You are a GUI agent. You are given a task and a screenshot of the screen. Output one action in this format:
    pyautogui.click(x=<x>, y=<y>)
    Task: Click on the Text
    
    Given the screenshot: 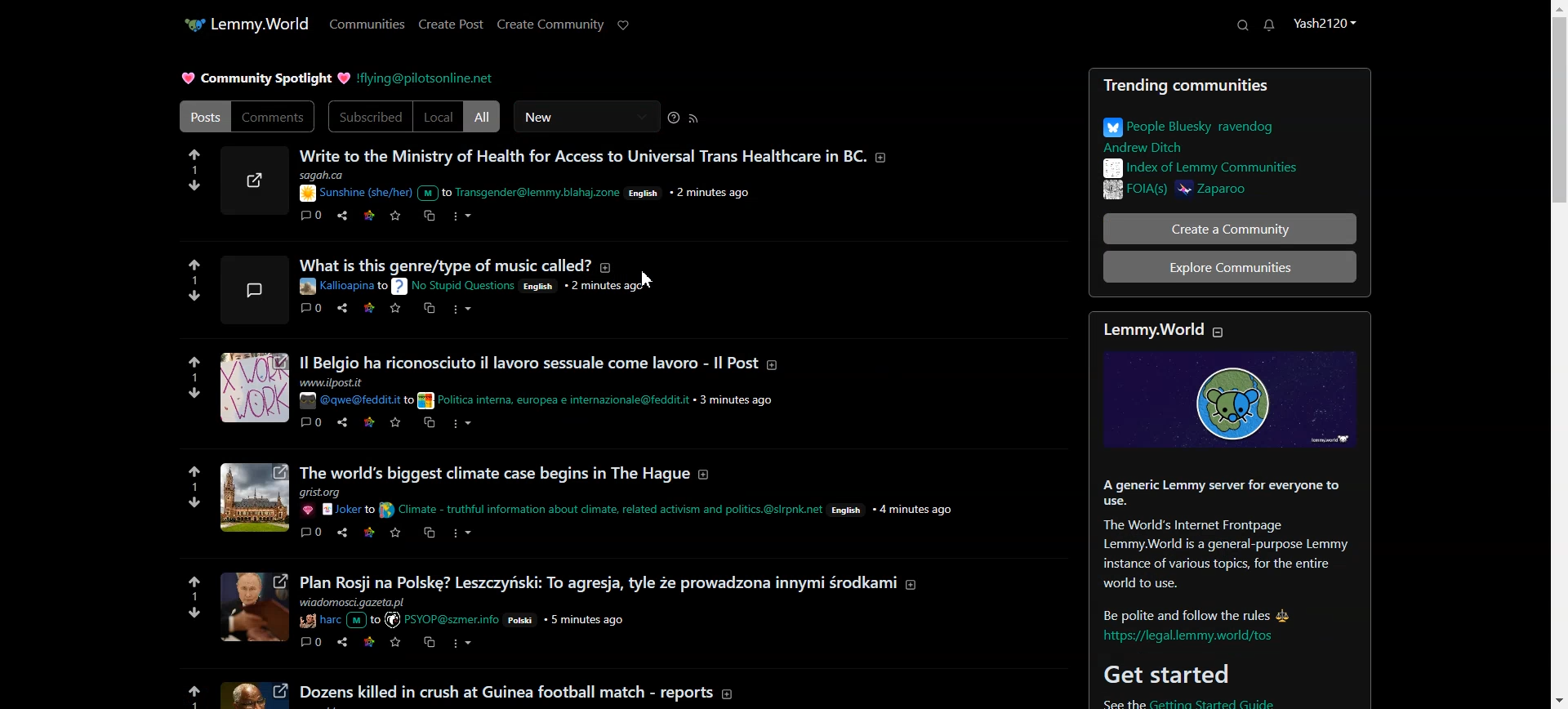 What is the action you would take?
    pyautogui.click(x=265, y=78)
    